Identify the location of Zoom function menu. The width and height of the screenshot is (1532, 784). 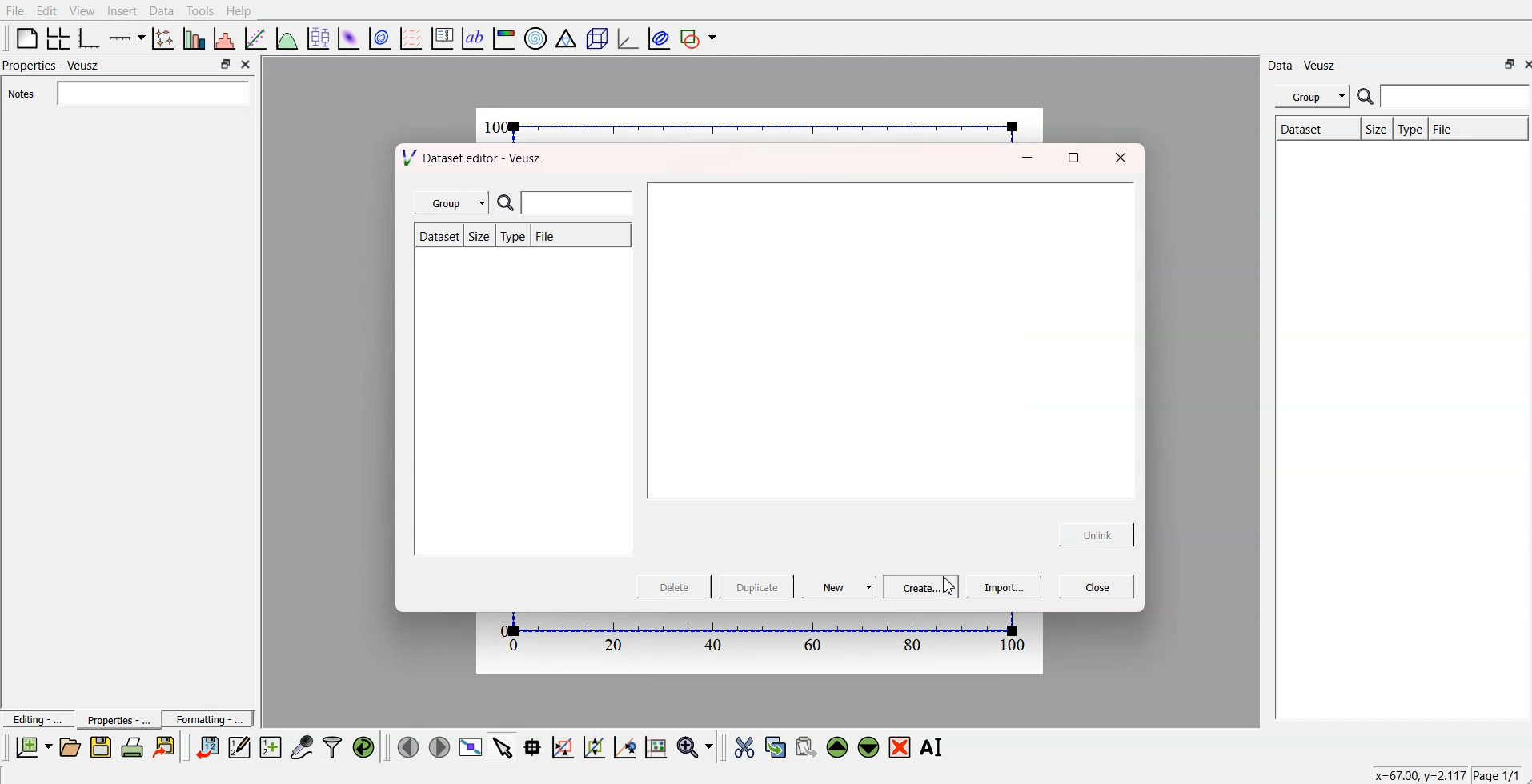
(696, 746).